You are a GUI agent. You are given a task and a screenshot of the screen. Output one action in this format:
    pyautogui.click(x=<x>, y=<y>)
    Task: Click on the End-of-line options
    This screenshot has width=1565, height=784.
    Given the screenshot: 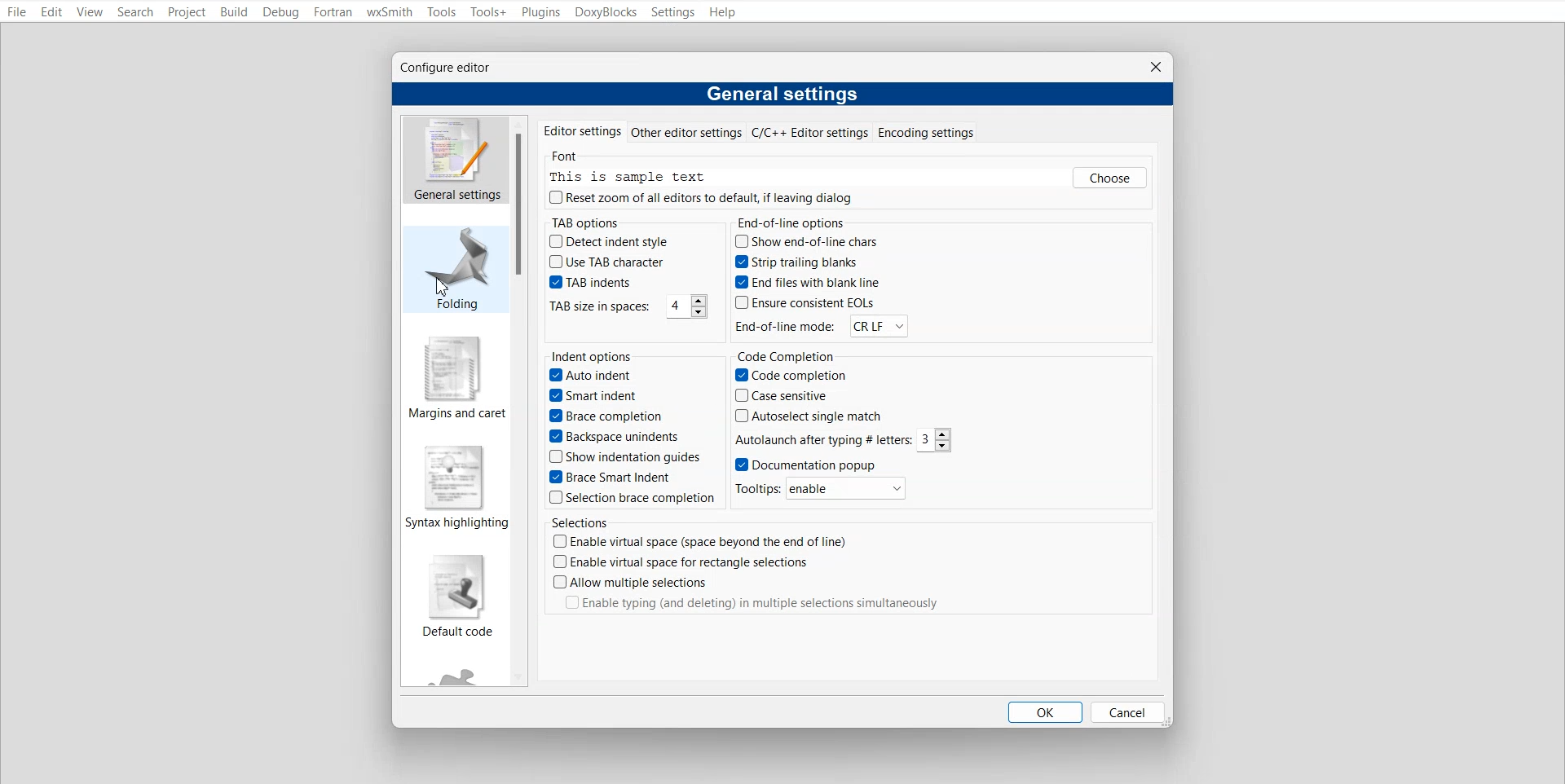 What is the action you would take?
    pyautogui.click(x=795, y=221)
    